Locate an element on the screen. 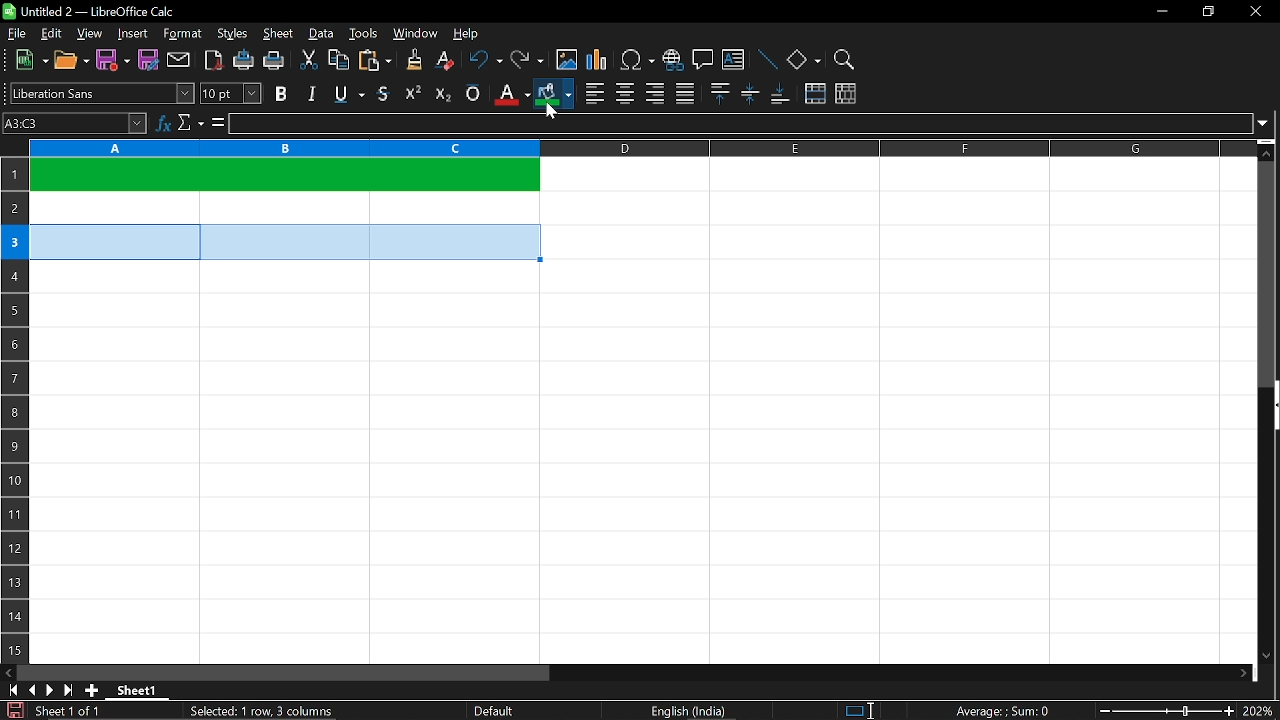  align top is located at coordinates (719, 94).